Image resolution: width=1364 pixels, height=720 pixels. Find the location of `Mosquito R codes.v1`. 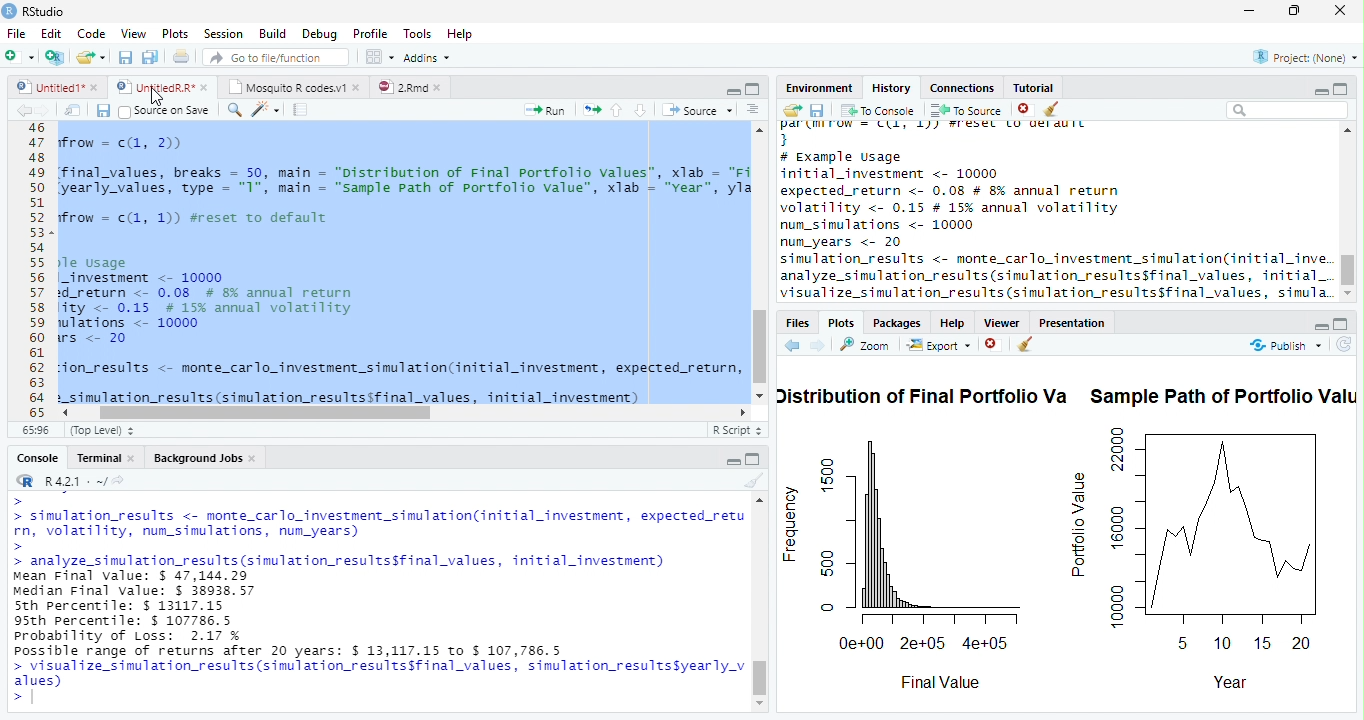

Mosquito R codes.v1 is located at coordinates (292, 86).